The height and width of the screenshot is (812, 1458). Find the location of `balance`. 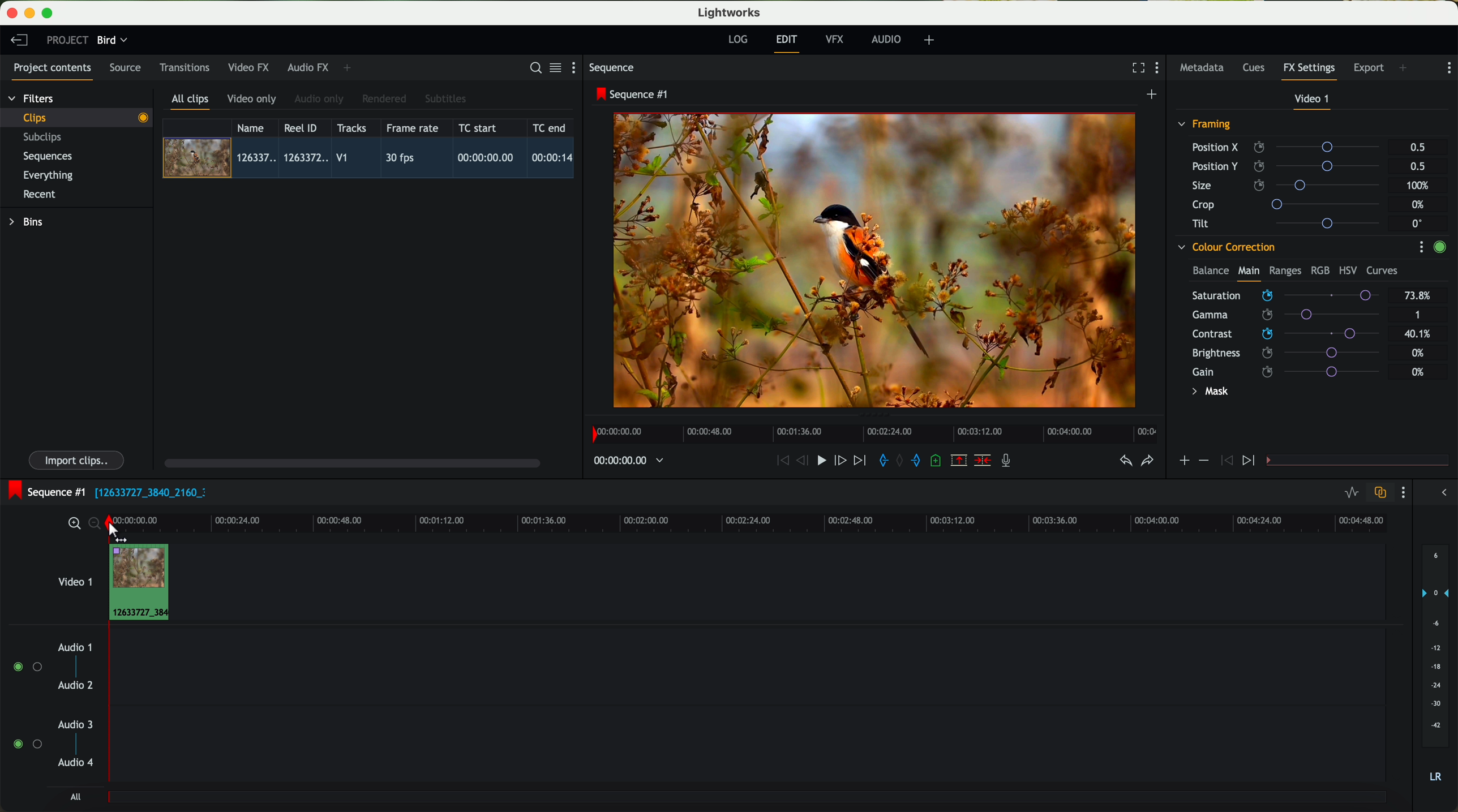

balance is located at coordinates (1211, 272).